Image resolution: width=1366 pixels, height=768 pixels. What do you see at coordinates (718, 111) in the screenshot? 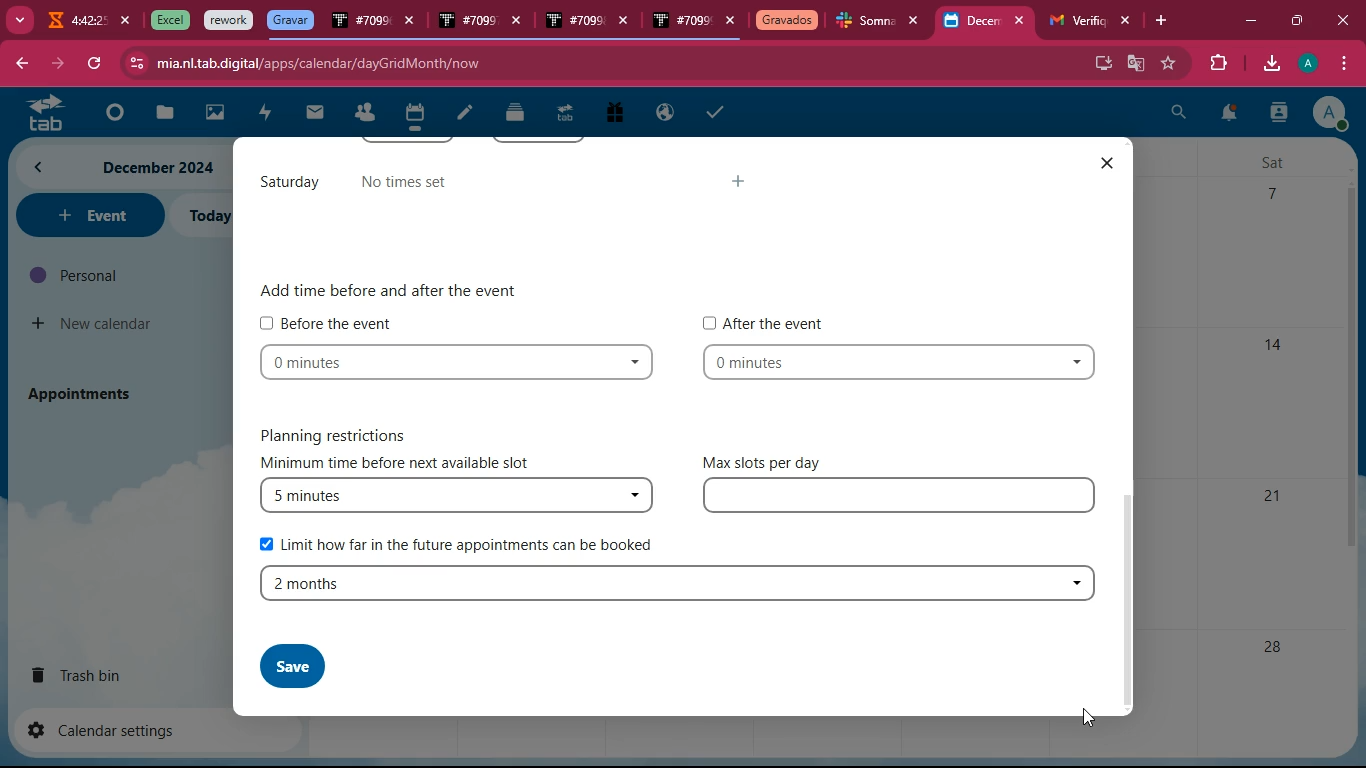
I see `taks` at bounding box center [718, 111].